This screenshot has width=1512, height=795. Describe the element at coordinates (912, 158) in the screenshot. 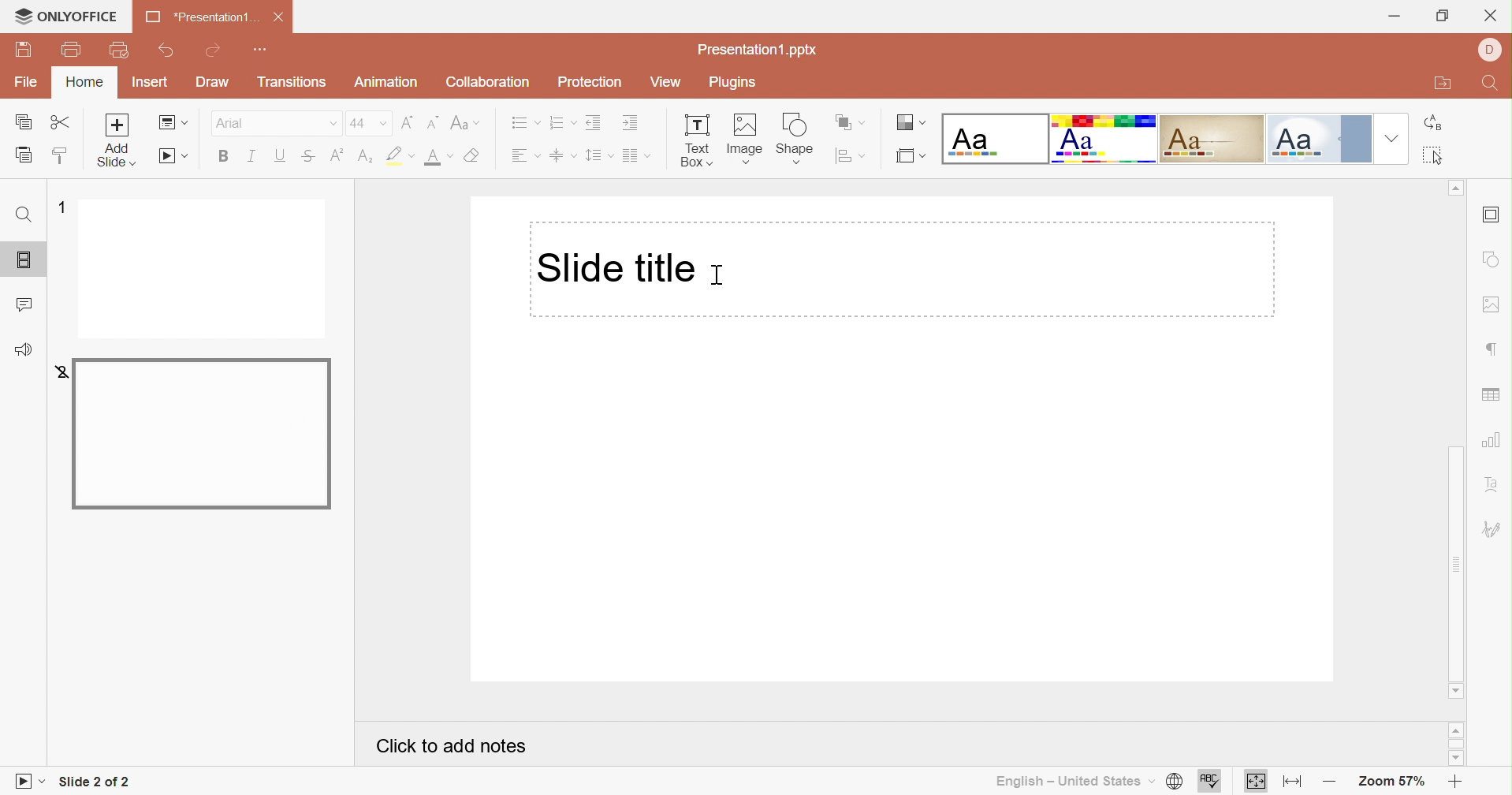

I see `Select slide size` at that location.